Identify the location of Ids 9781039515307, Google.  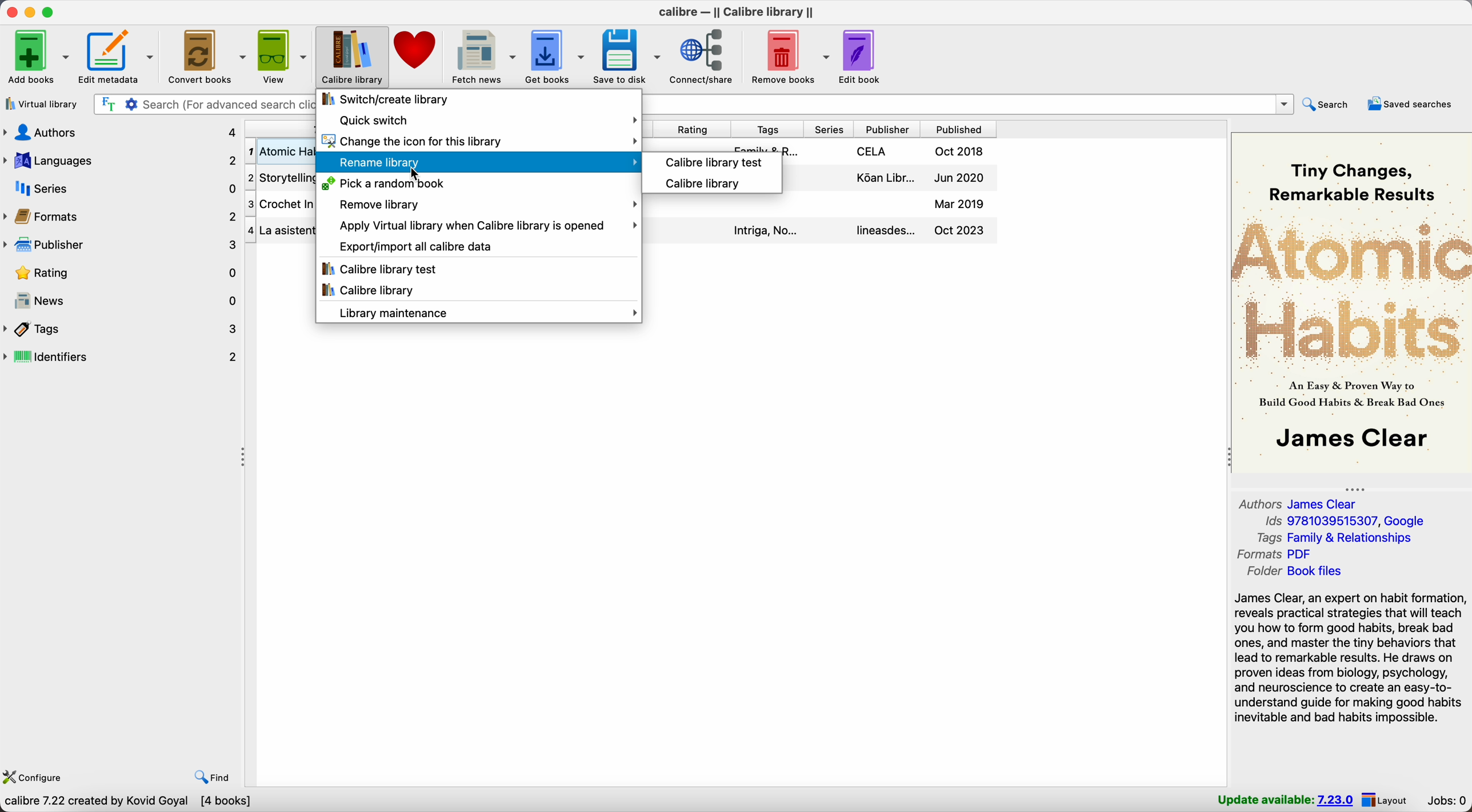
(1346, 519).